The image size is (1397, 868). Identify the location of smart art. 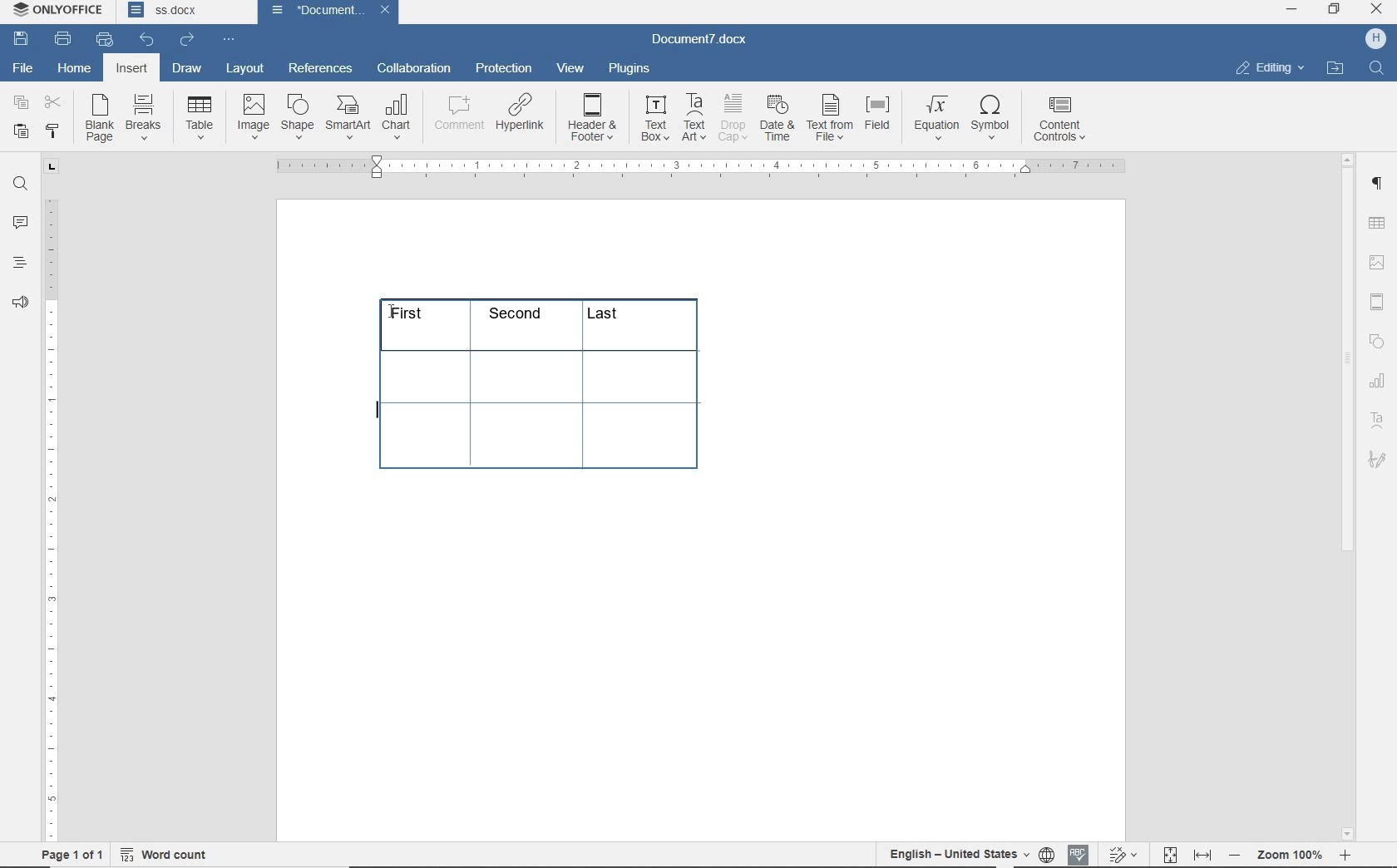
(348, 119).